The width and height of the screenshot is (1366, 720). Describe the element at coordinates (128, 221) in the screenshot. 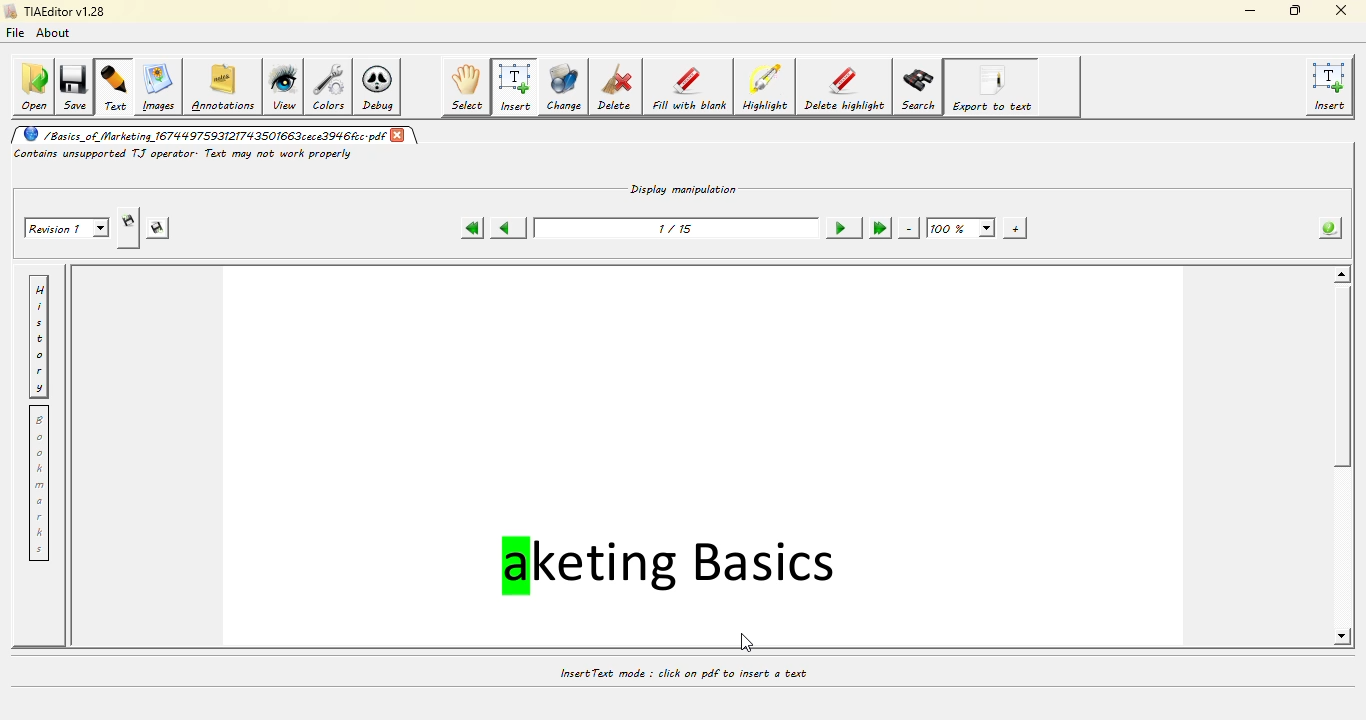

I see `creates new revision` at that location.